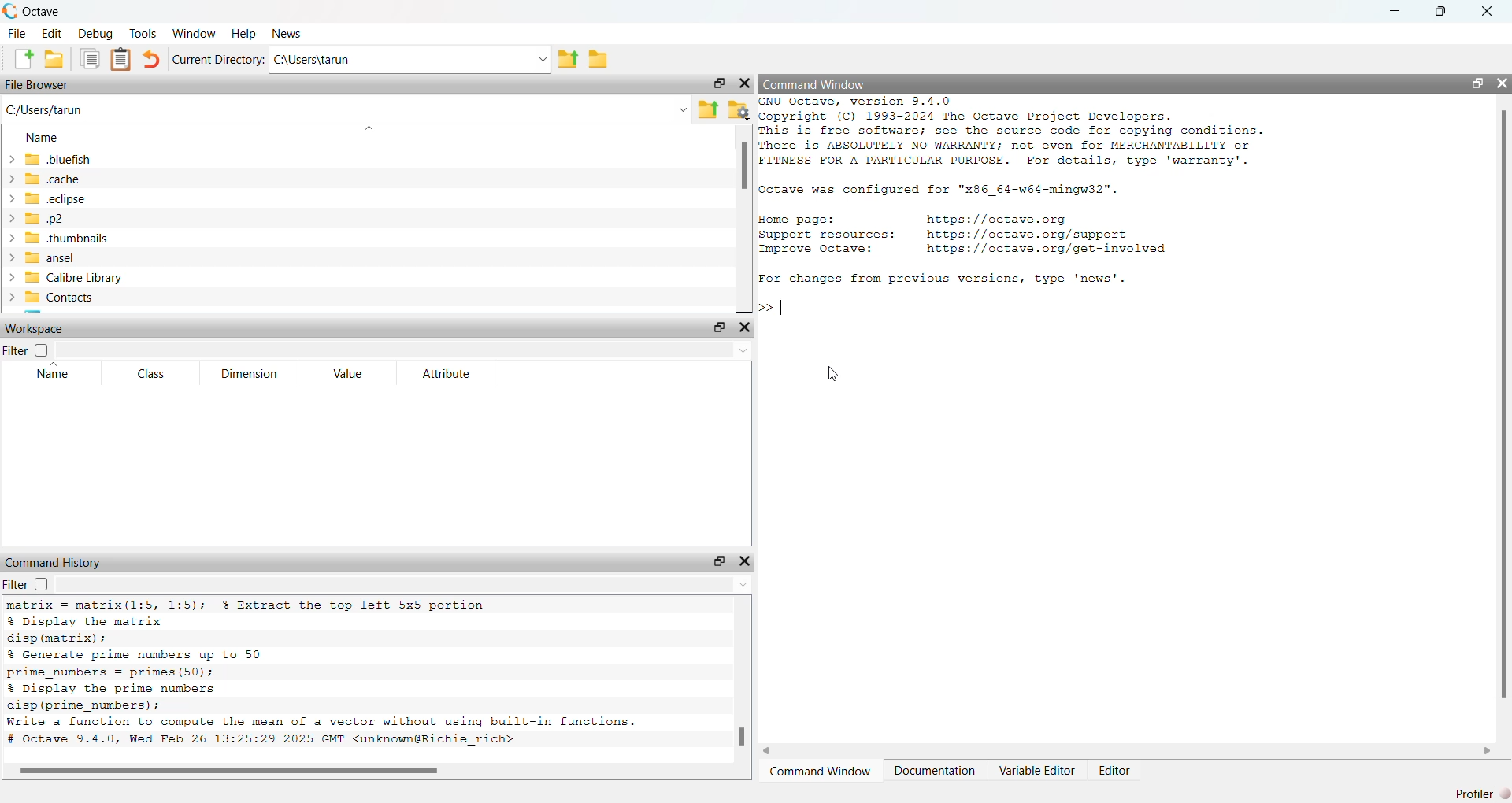 This screenshot has width=1512, height=803. What do you see at coordinates (120, 59) in the screenshot?
I see `clip board` at bounding box center [120, 59].